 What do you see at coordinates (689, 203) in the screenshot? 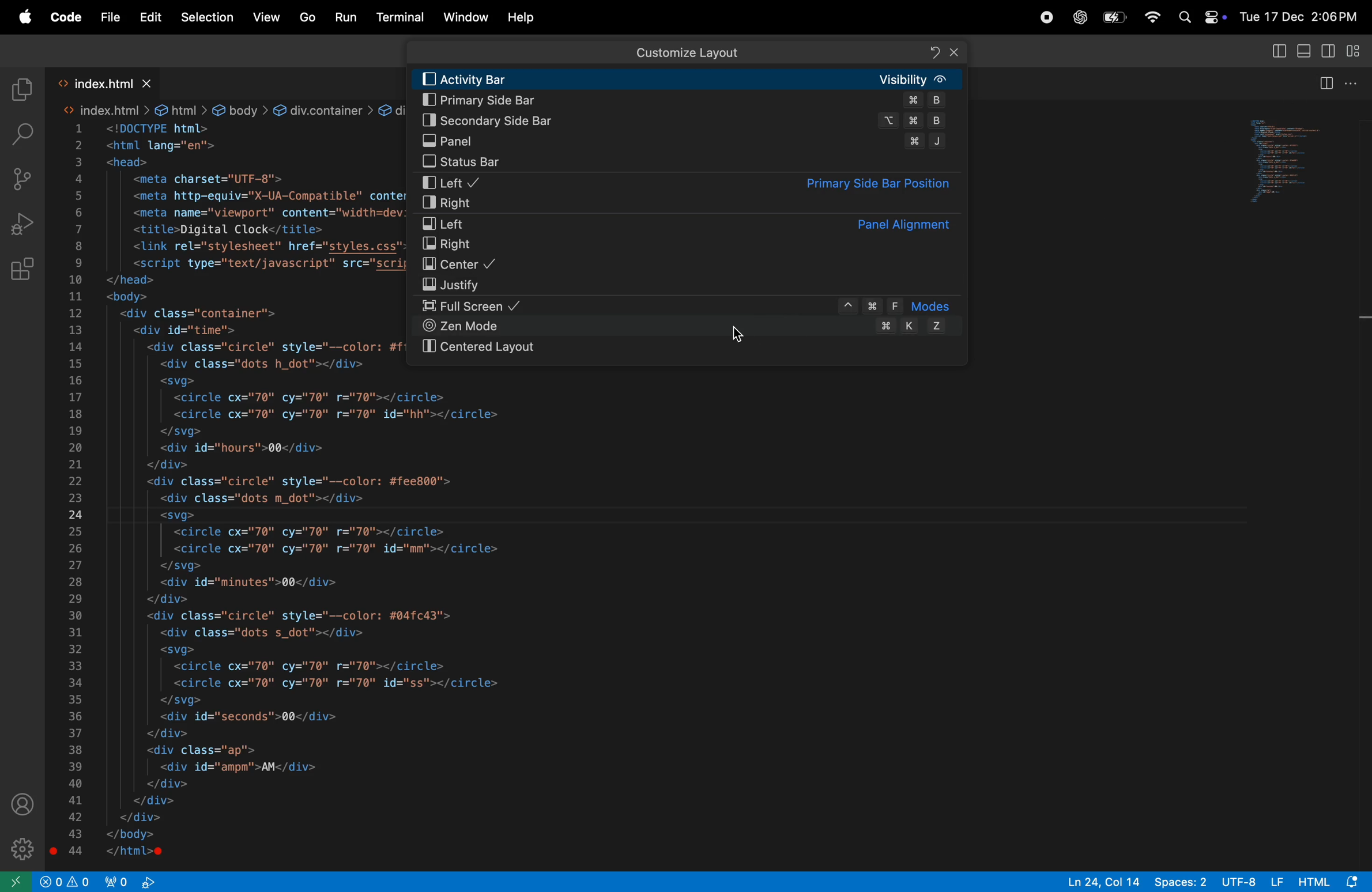
I see `right` at bounding box center [689, 203].